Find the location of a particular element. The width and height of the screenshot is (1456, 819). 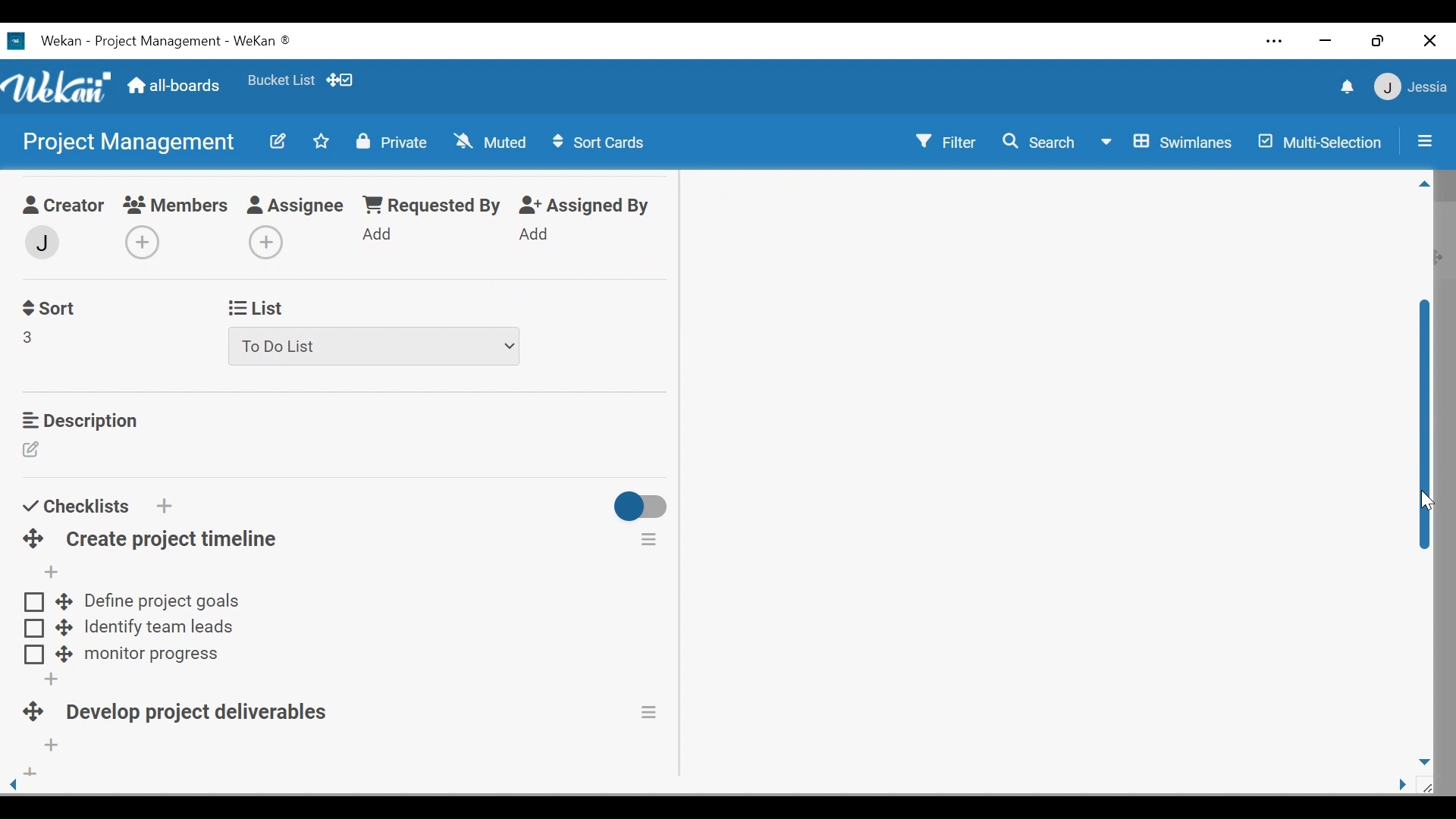

Add Assigned By is located at coordinates (535, 234).